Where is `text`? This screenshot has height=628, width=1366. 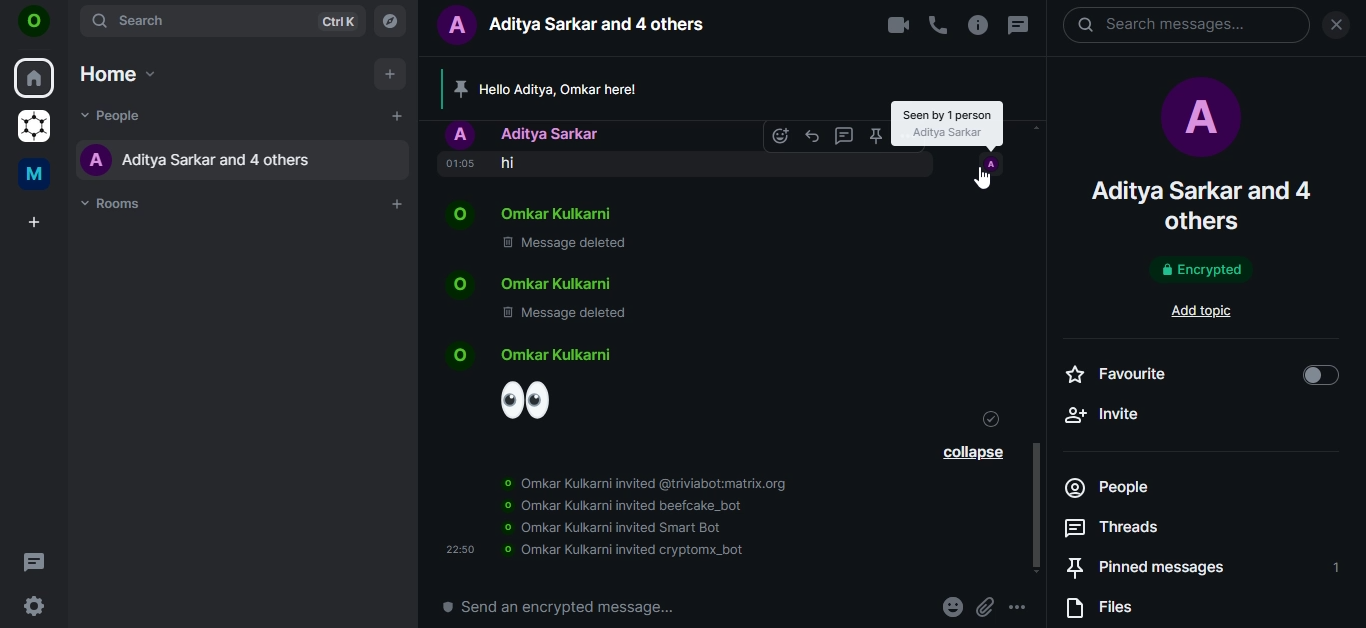
text is located at coordinates (606, 551).